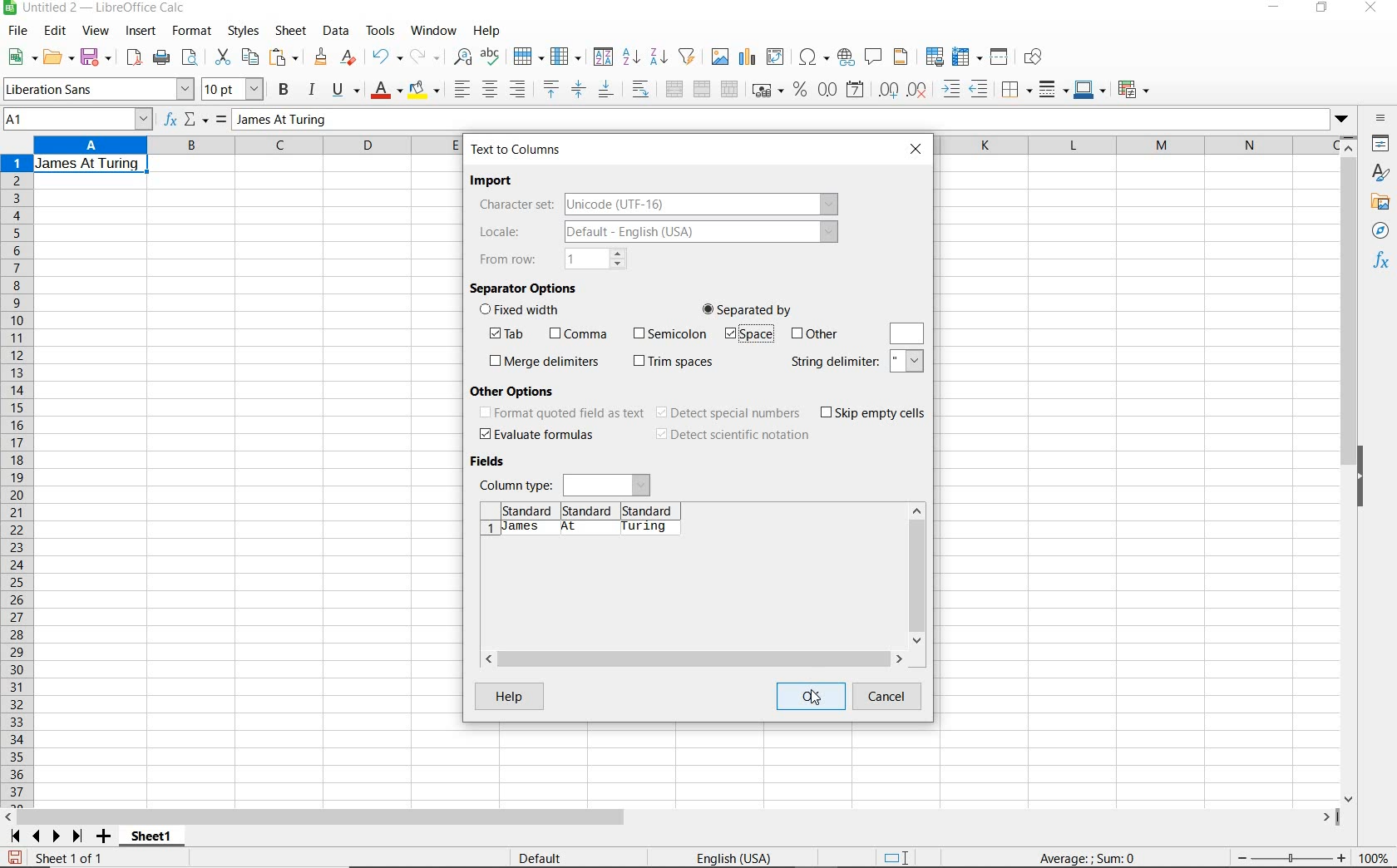 The image size is (1397, 868). Describe the element at coordinates (917, 575) in the screenshot. I see `scrollbar` at that location.